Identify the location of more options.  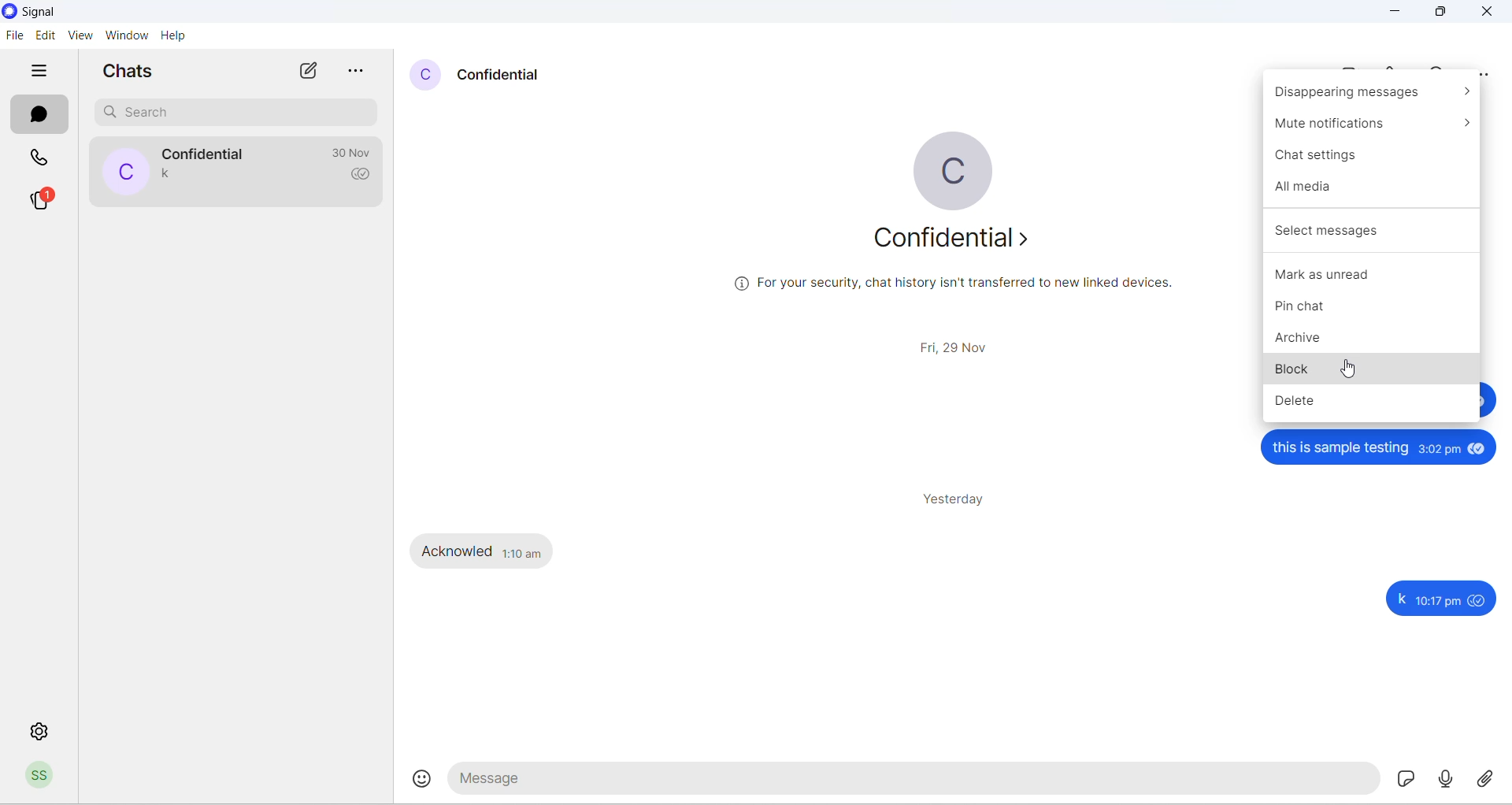
(360, 67).